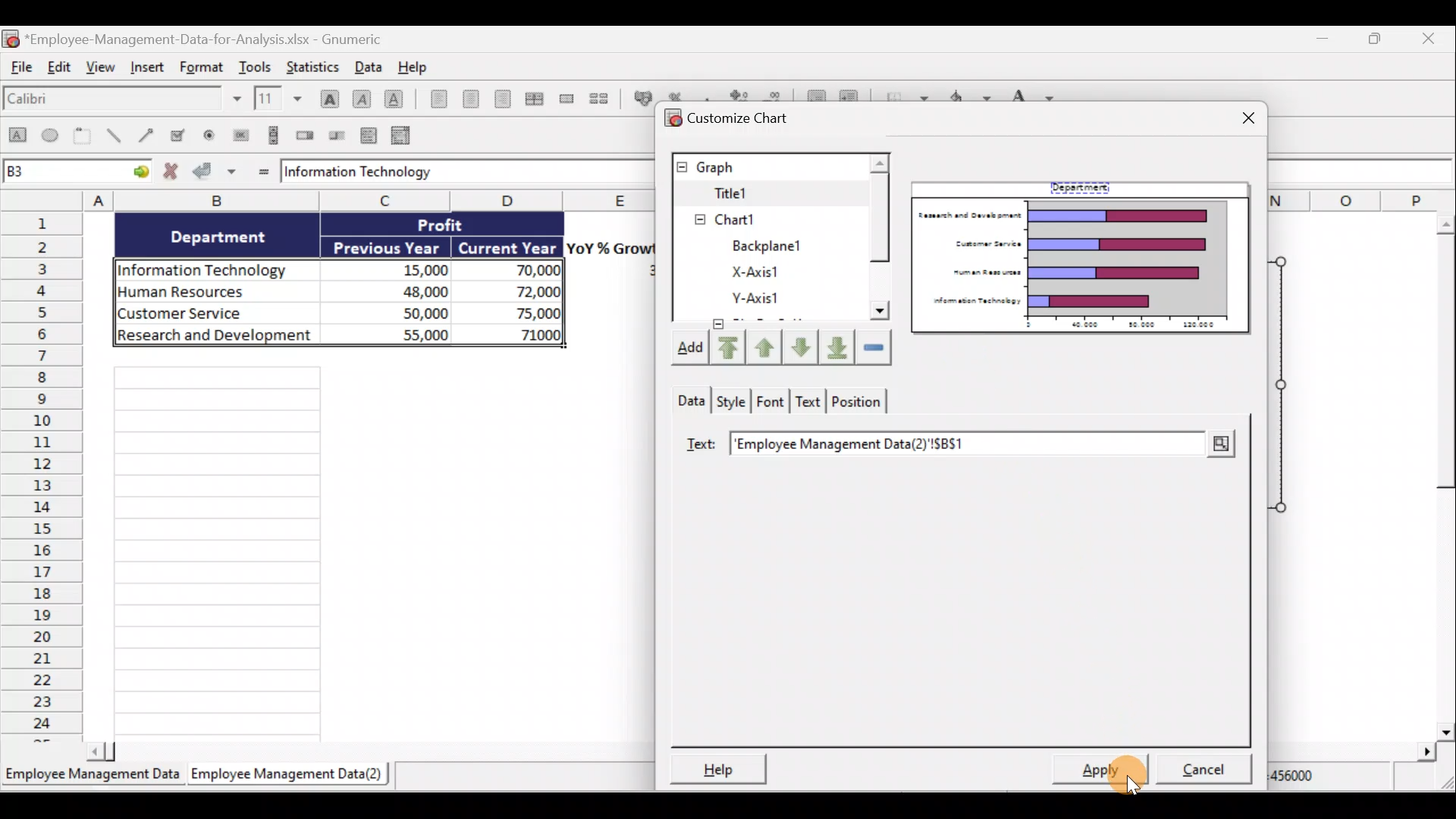 This screenshot has height=819, width=1456. I want to click on YoY % Growth, so click(611, 247).